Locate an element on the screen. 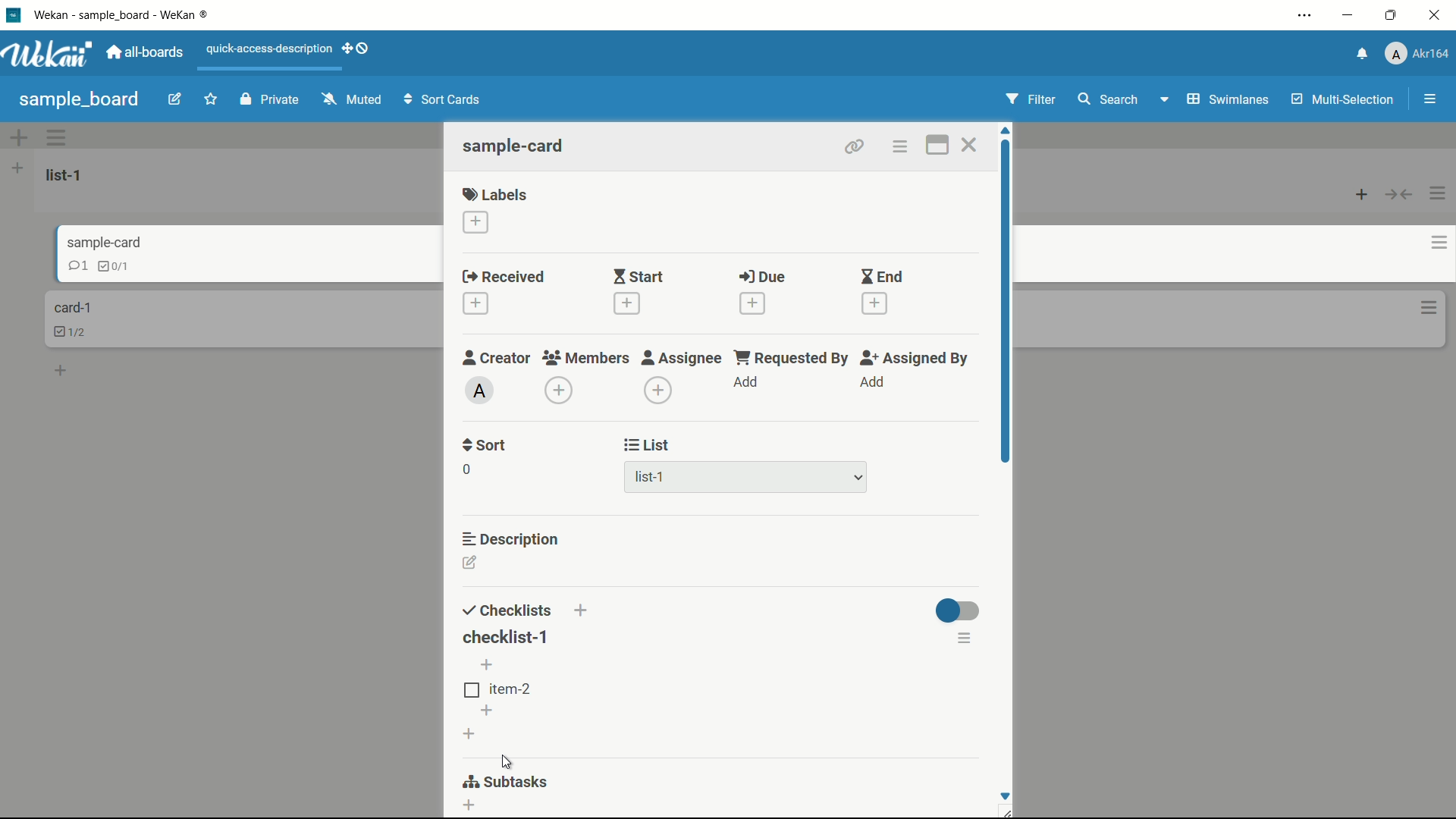  all boards is located at coordinates (147, 52).